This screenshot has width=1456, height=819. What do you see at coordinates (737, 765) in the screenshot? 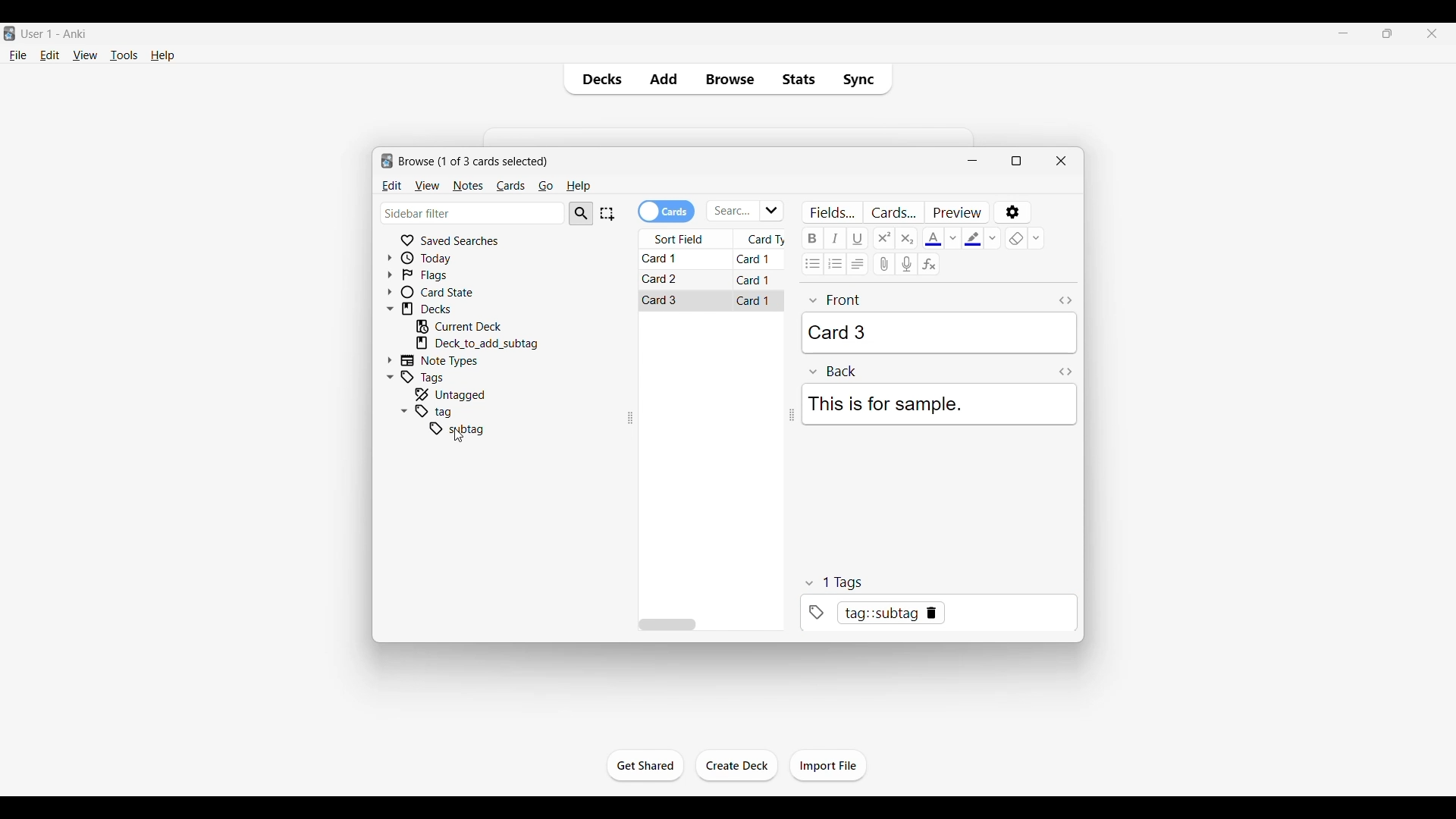
I see `Click to create another deck` at bounding box center [737, 765].